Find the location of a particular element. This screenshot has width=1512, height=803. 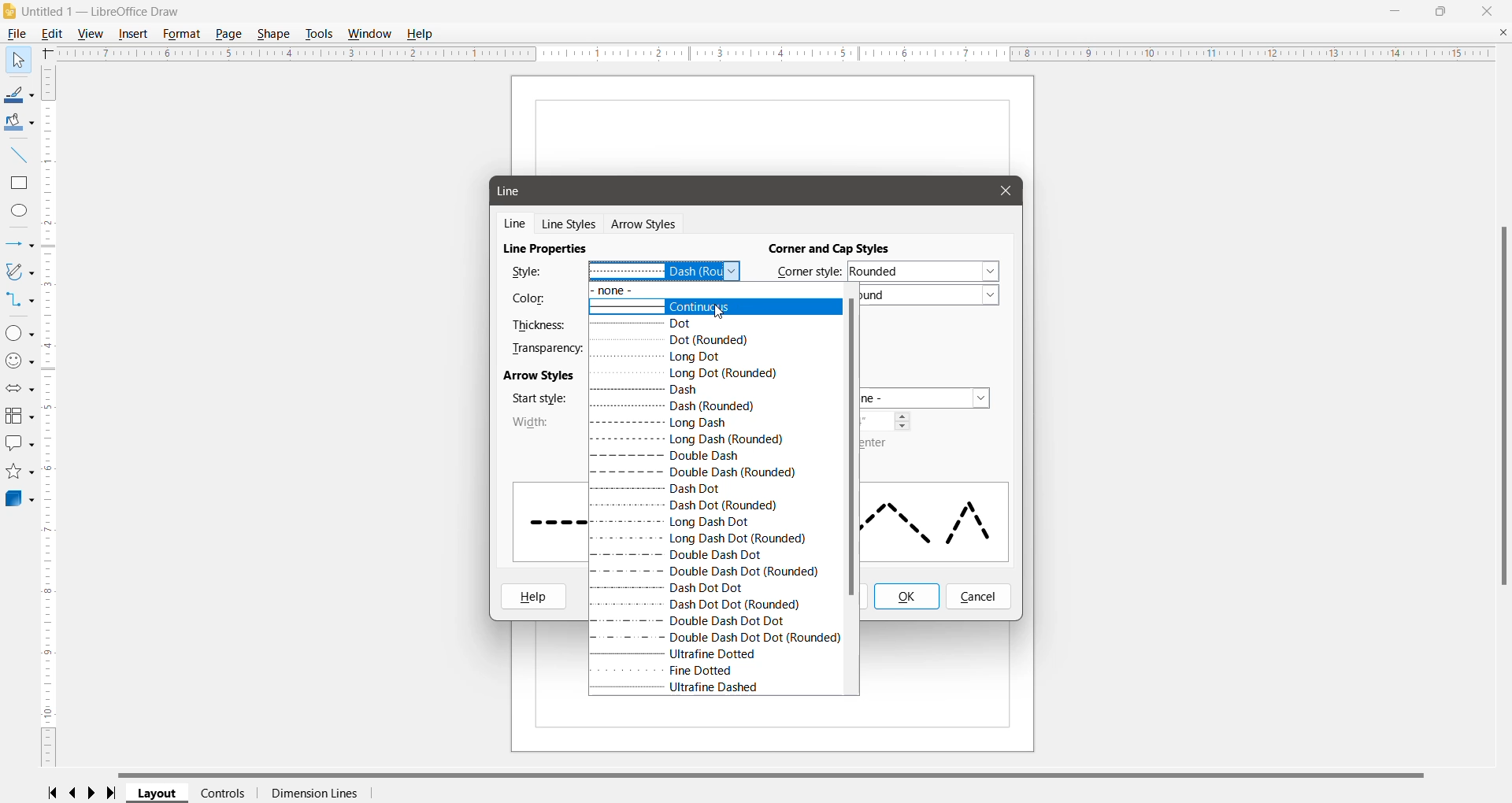

Window is located at coordinates (368, 34).